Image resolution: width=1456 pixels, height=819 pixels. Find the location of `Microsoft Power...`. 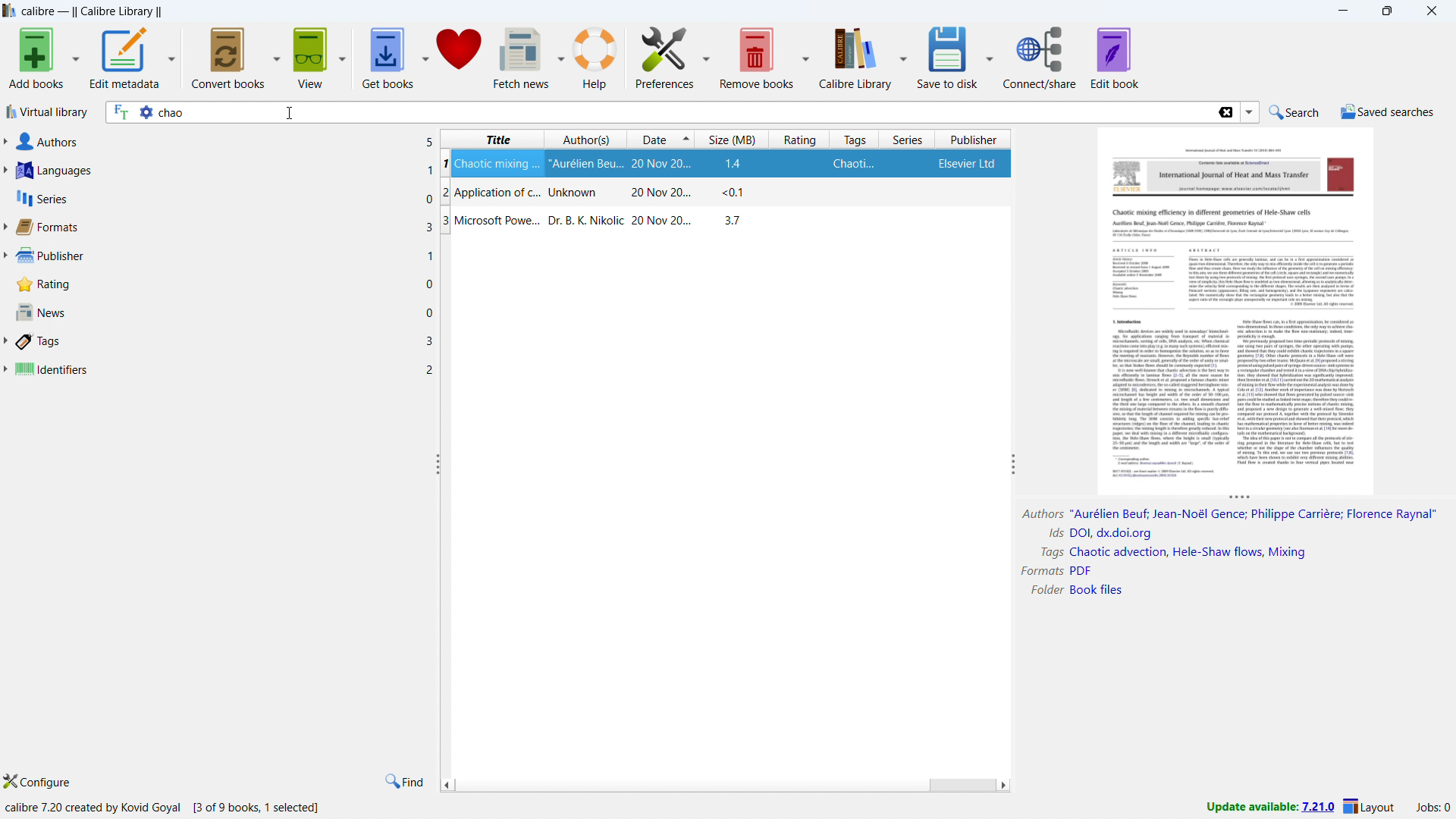

Microsoft Power... is located at coordinates (718, 223).